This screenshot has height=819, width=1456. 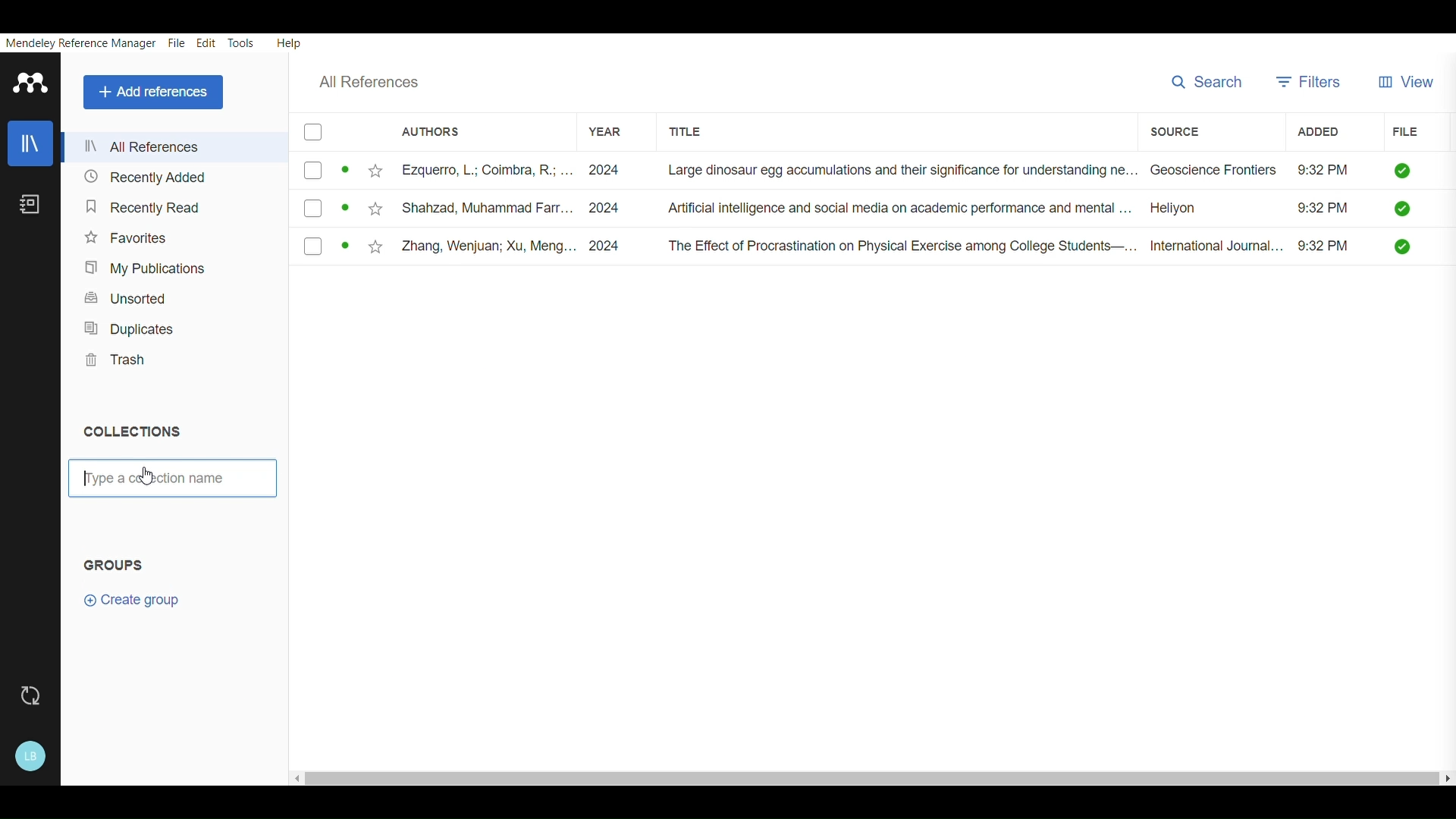 What do you see at coordinates (32, 754) in the screenshot?
I see `Account & help` at bounding box center [32, 754].